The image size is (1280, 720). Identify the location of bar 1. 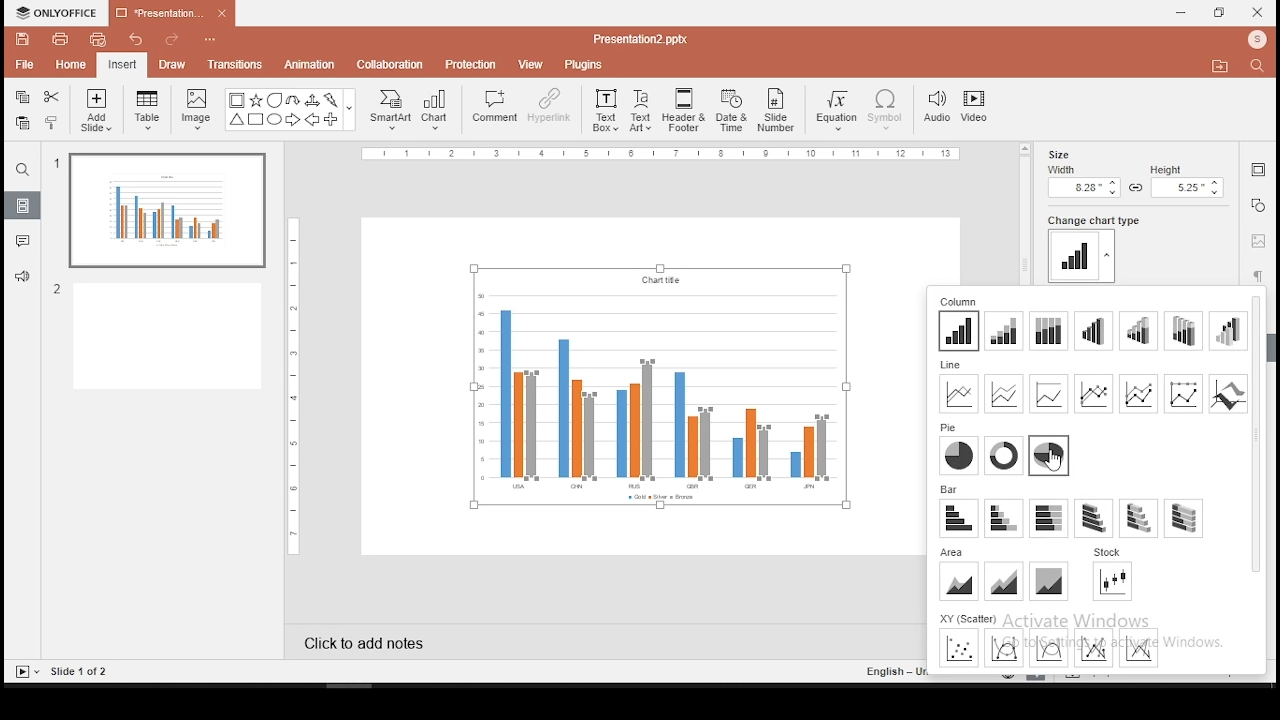
(960, 518).